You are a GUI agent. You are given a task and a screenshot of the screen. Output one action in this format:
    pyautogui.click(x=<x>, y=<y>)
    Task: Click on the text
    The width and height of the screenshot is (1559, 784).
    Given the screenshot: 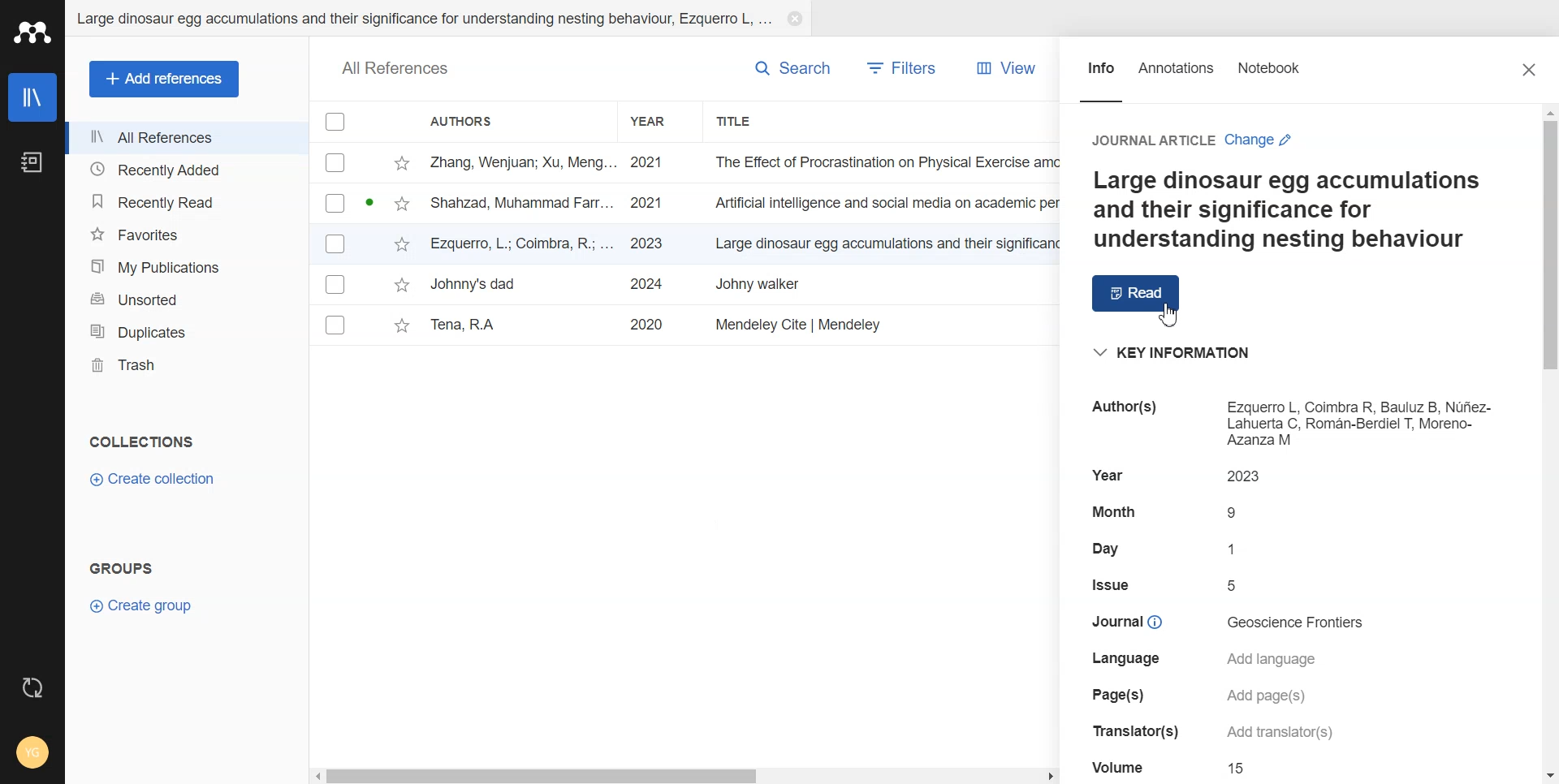 What is the action you would take?
    pyautogui.click(x=1237, y=513)
    